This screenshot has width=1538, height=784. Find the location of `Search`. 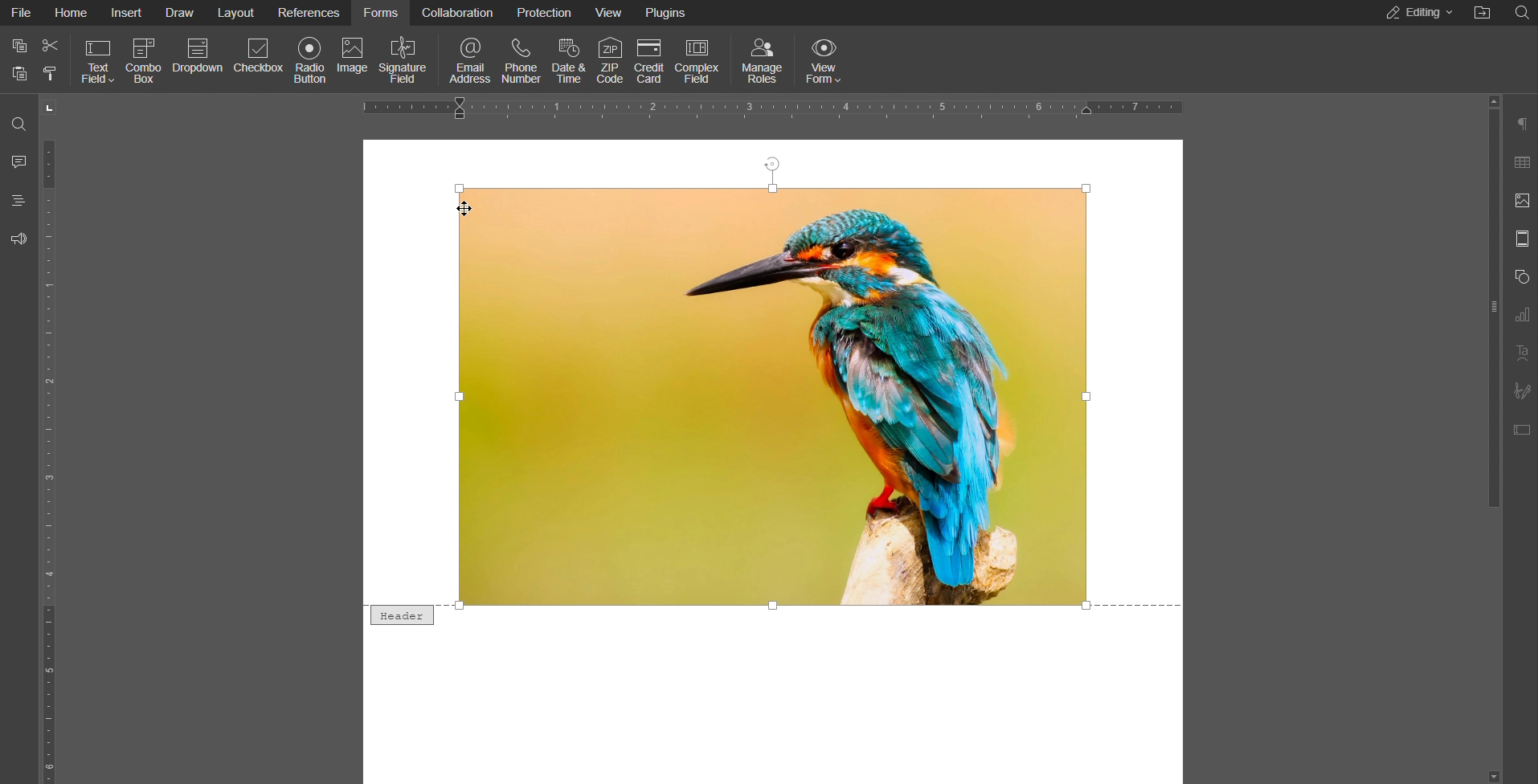

Search is located at coordinates (18, 125).